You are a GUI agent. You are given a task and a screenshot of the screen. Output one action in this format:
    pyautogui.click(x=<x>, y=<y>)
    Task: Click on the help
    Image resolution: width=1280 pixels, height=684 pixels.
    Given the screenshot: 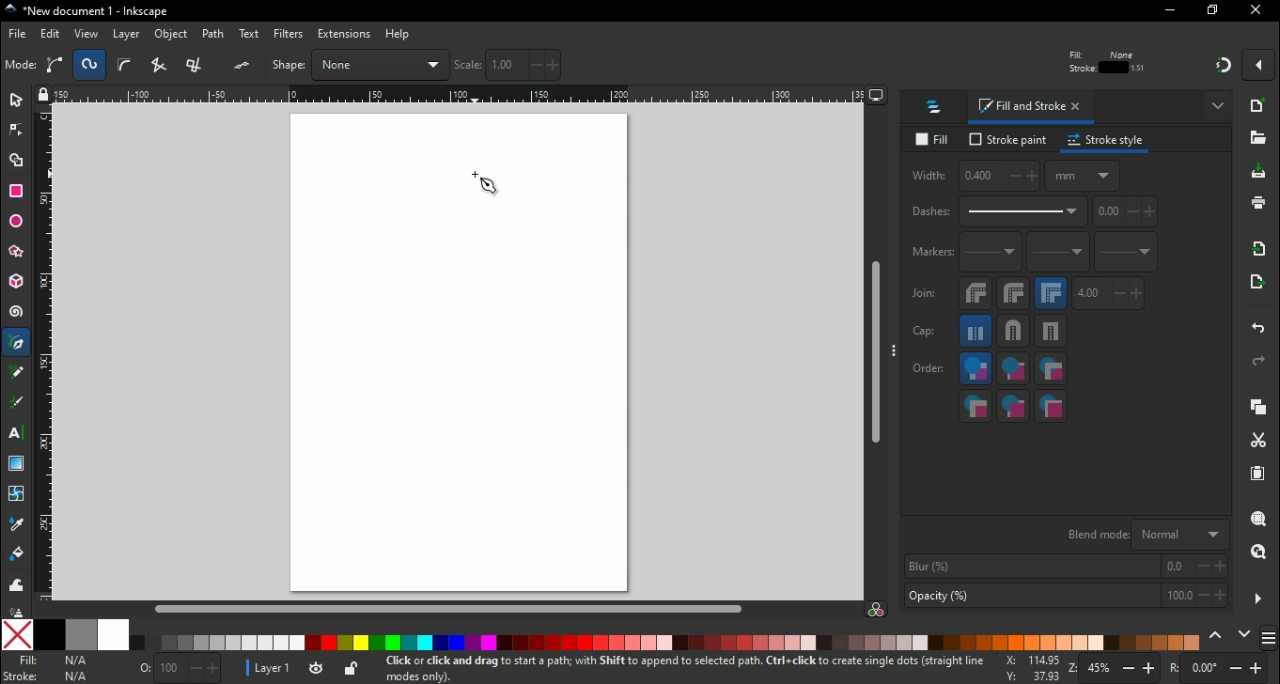 What is the action you would take?
    pyautogui.click(x=399, y=35)
    